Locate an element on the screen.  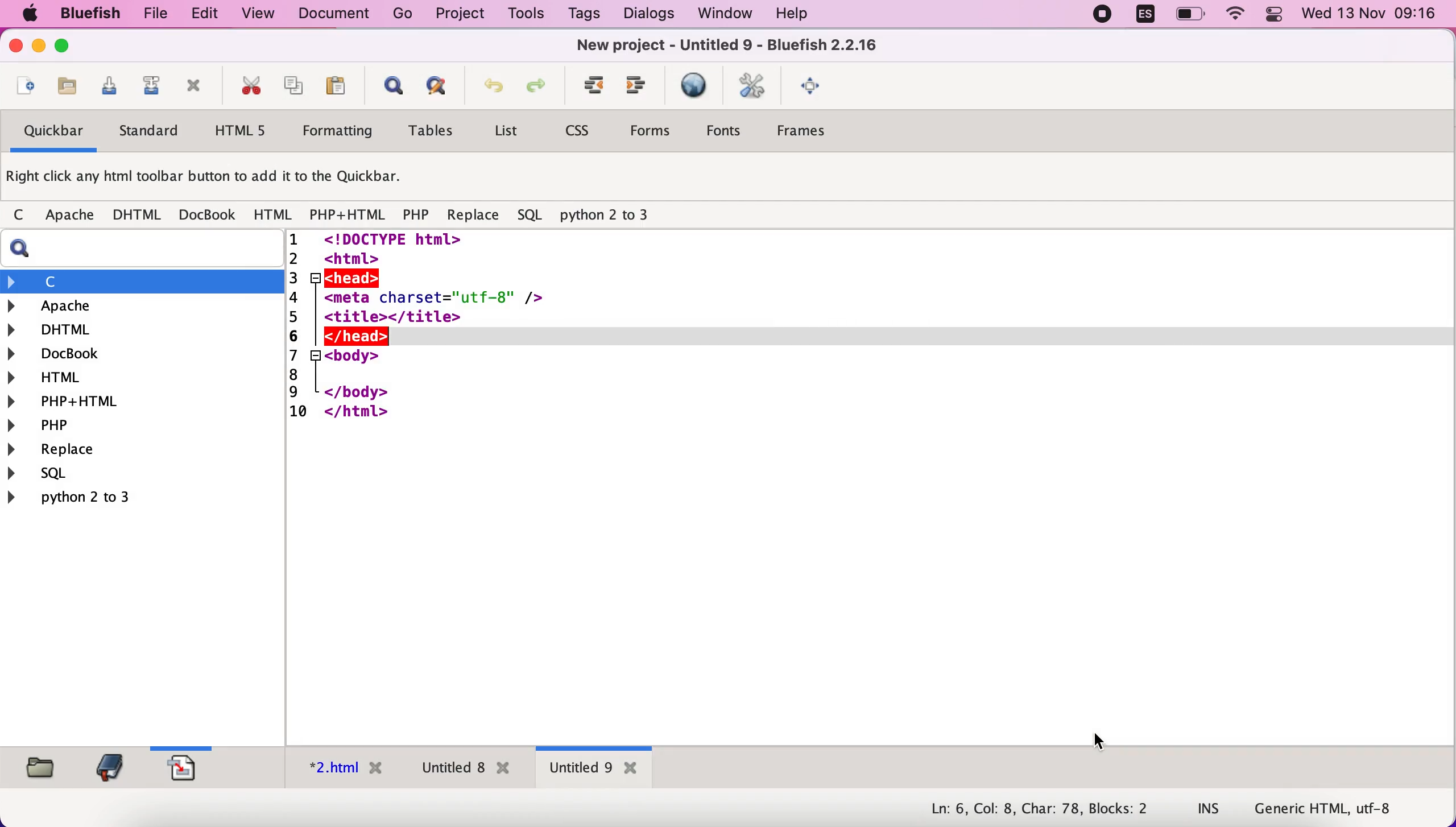
dialogs is located at coordinates (645, 14).